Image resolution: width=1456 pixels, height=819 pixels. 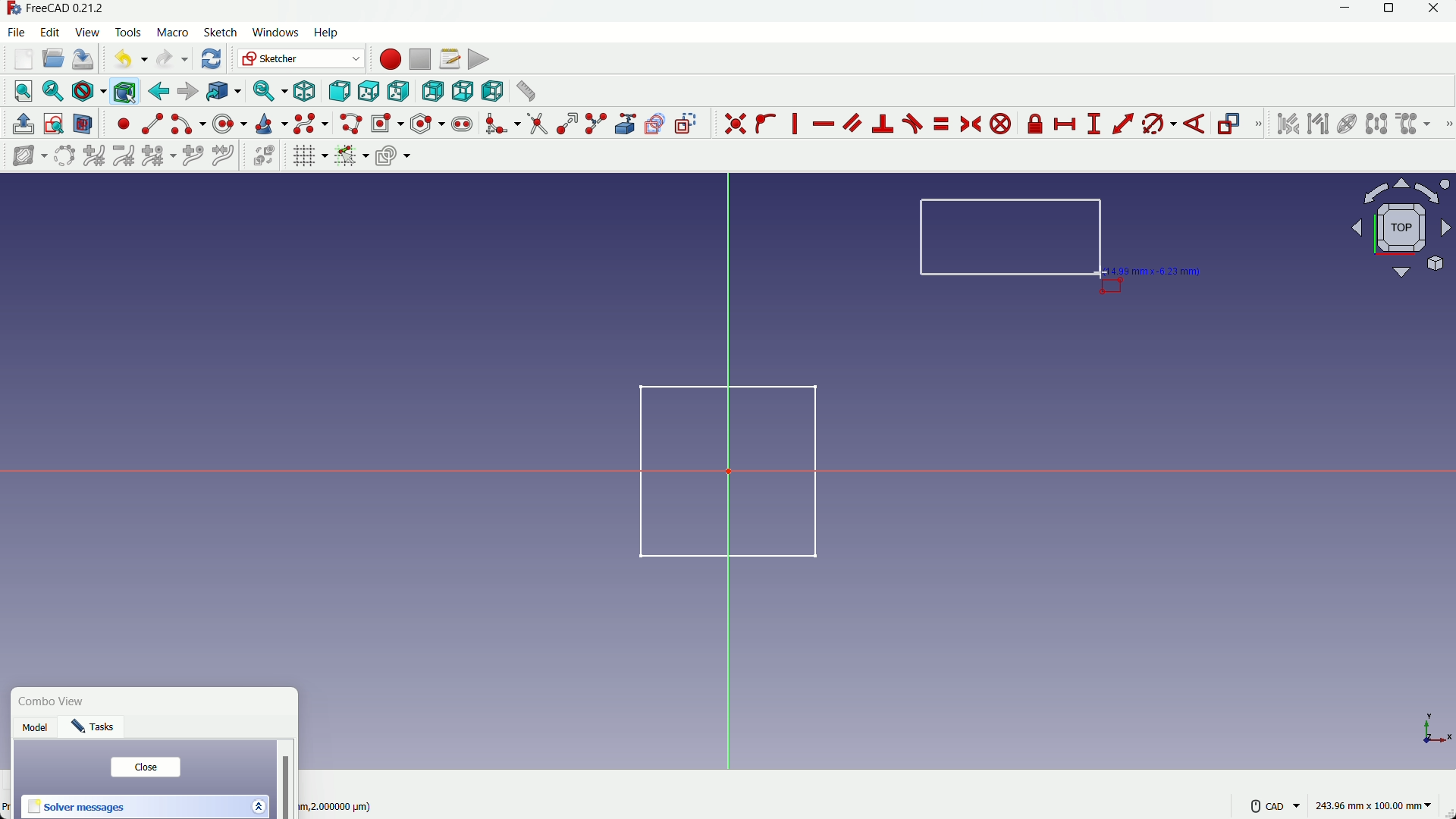 I want to click on constraint perpendicular, so click(x=883, y=124).